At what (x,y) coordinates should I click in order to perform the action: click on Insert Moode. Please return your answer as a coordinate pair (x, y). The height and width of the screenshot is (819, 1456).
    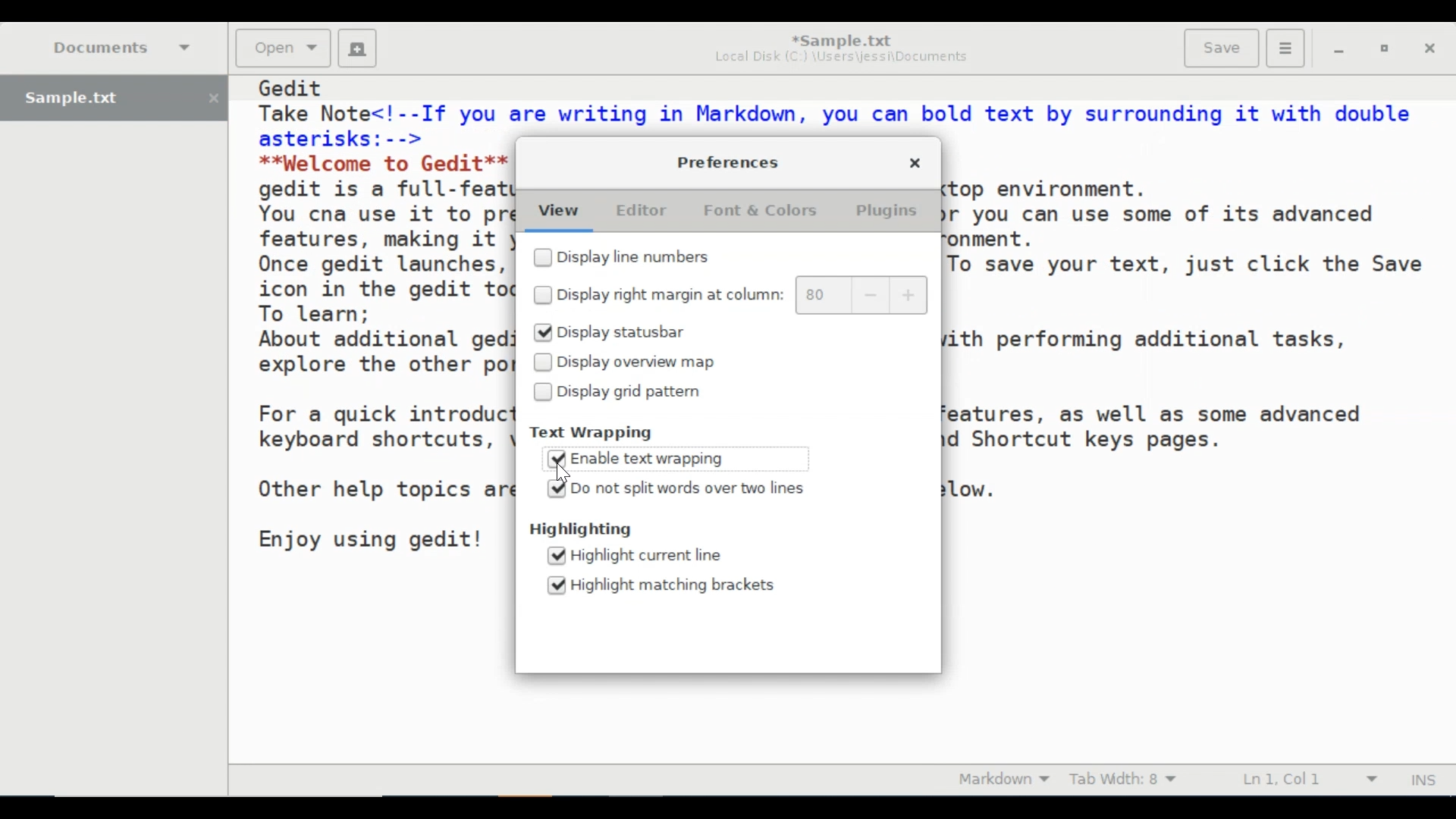
    Looking at the image, I should click on (1425, 780).